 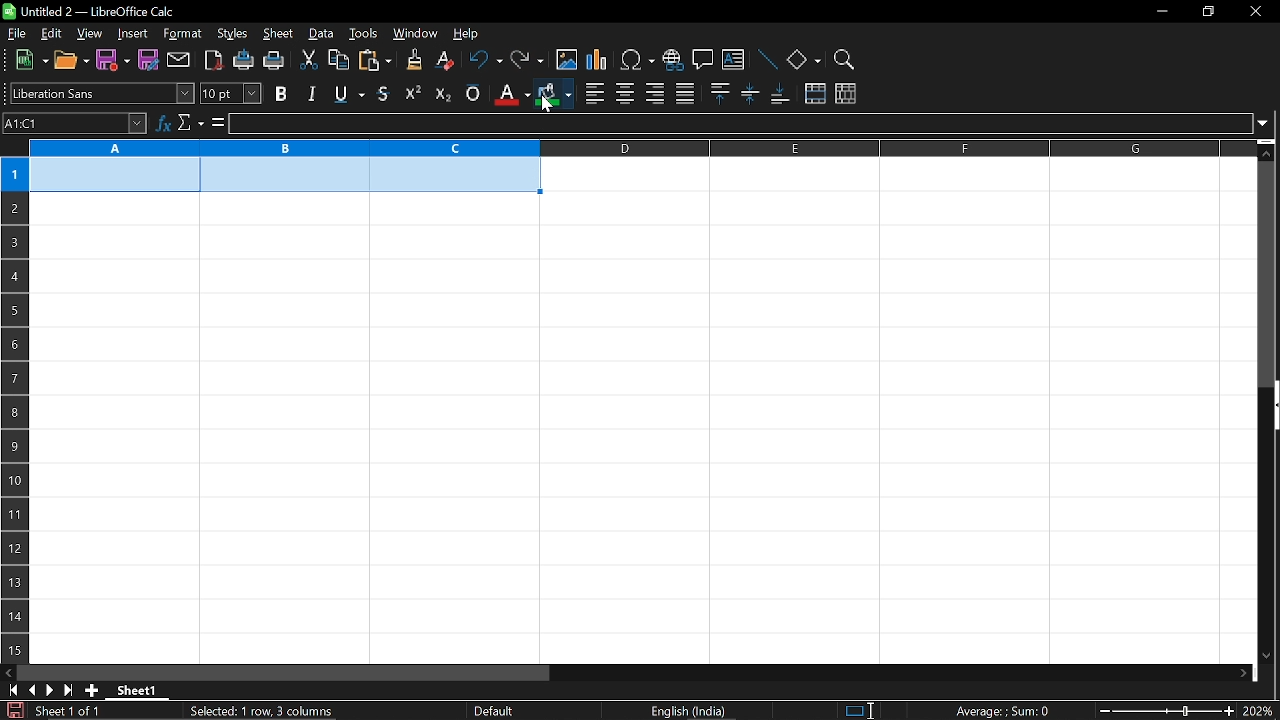 What do you see at coordinates (497, 711) in the screenshot?
I see `Default` at bounding box center [497, 711].